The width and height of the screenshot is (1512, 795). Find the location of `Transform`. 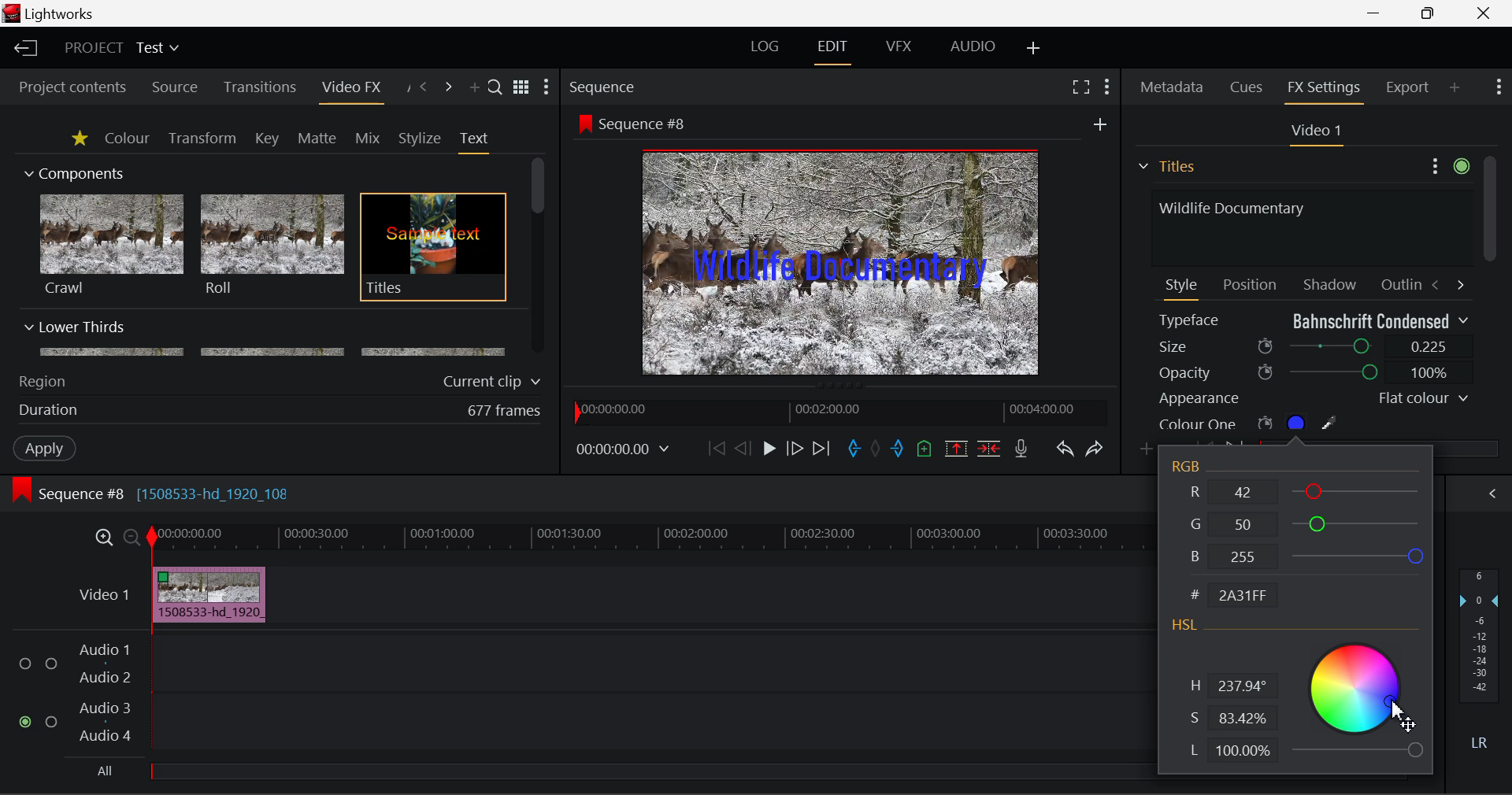

Transform is located at coordinates (204, 139).